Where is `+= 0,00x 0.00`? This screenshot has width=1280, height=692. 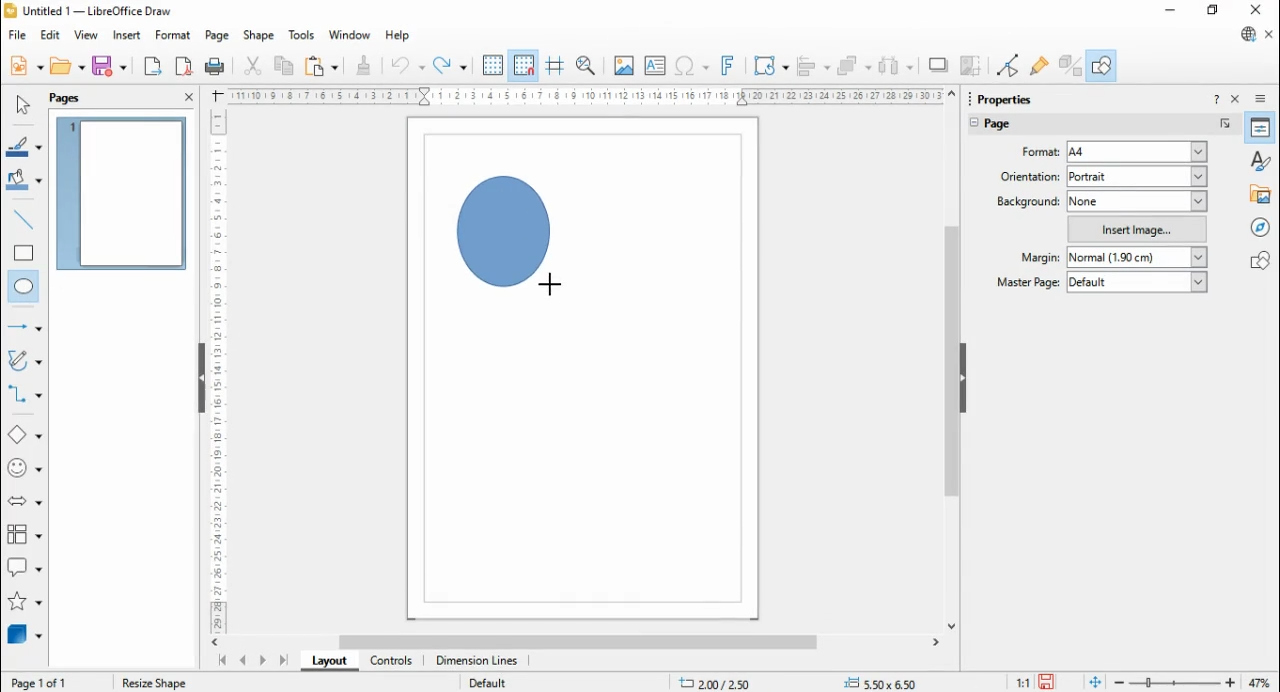 += 0,00x 0.00 is located at coordinates (886, 682).